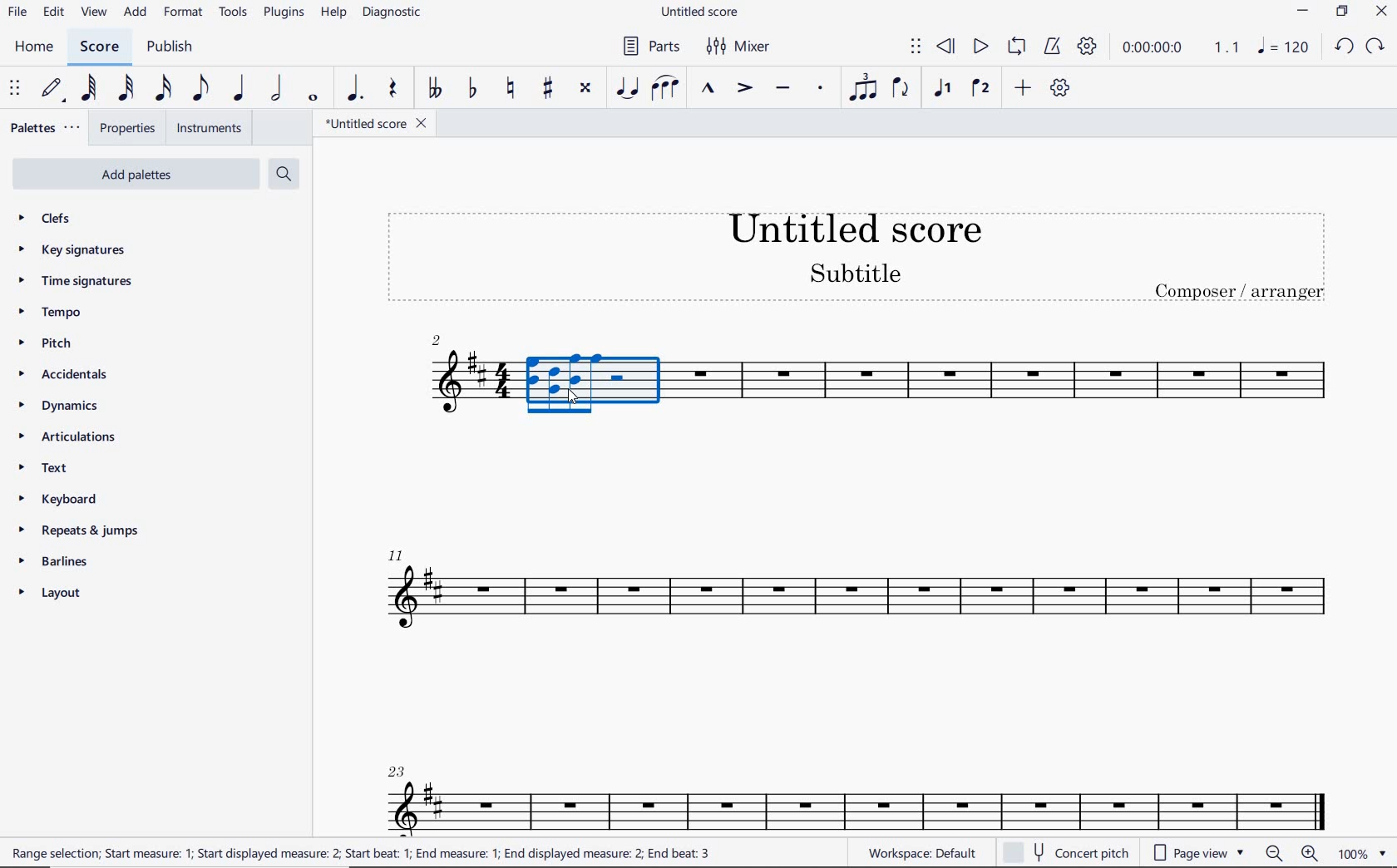  What do you see at coordinates (53, 596) in the screenshot?
I see `LAYOUT` at bounding box center [53, 596].